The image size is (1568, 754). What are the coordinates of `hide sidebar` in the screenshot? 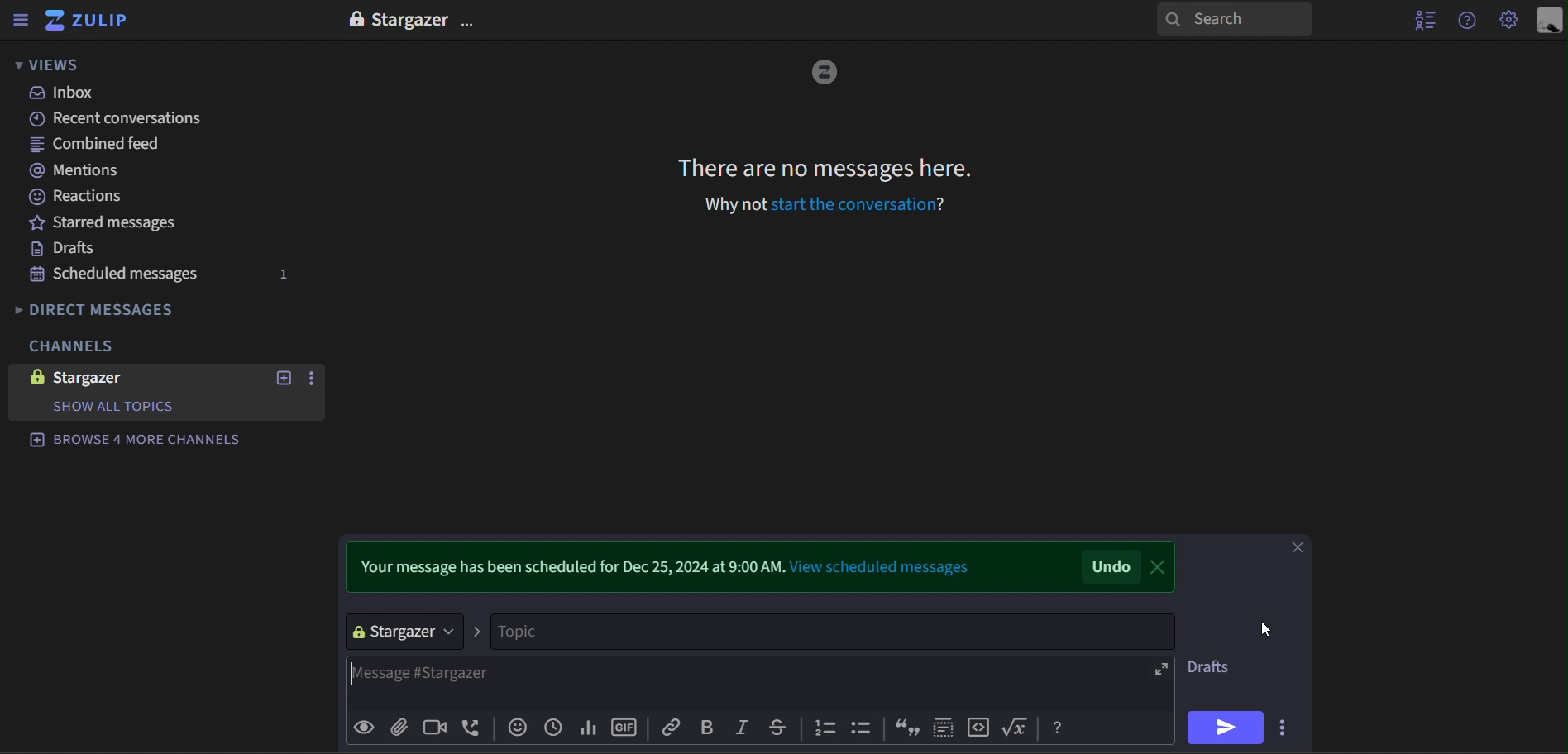 It's located at (21, 21).